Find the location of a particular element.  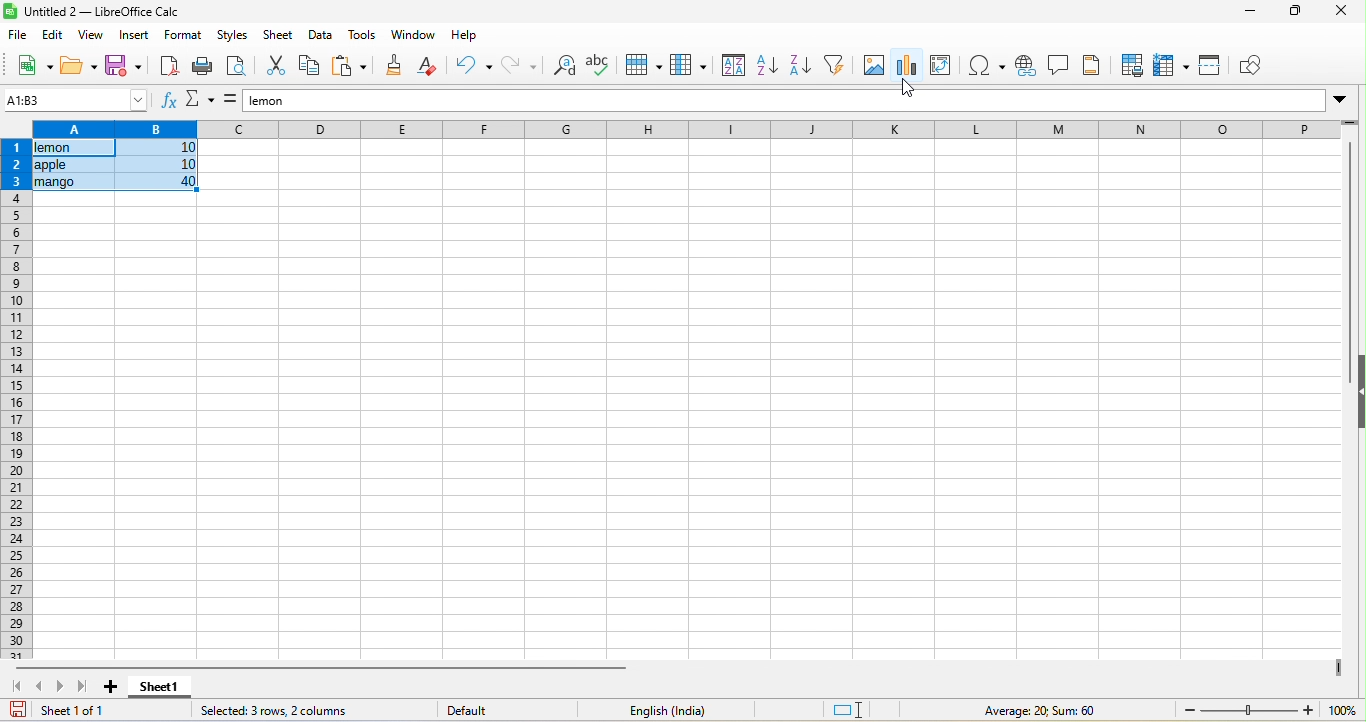

lemon is located at coordinates (779, 101).